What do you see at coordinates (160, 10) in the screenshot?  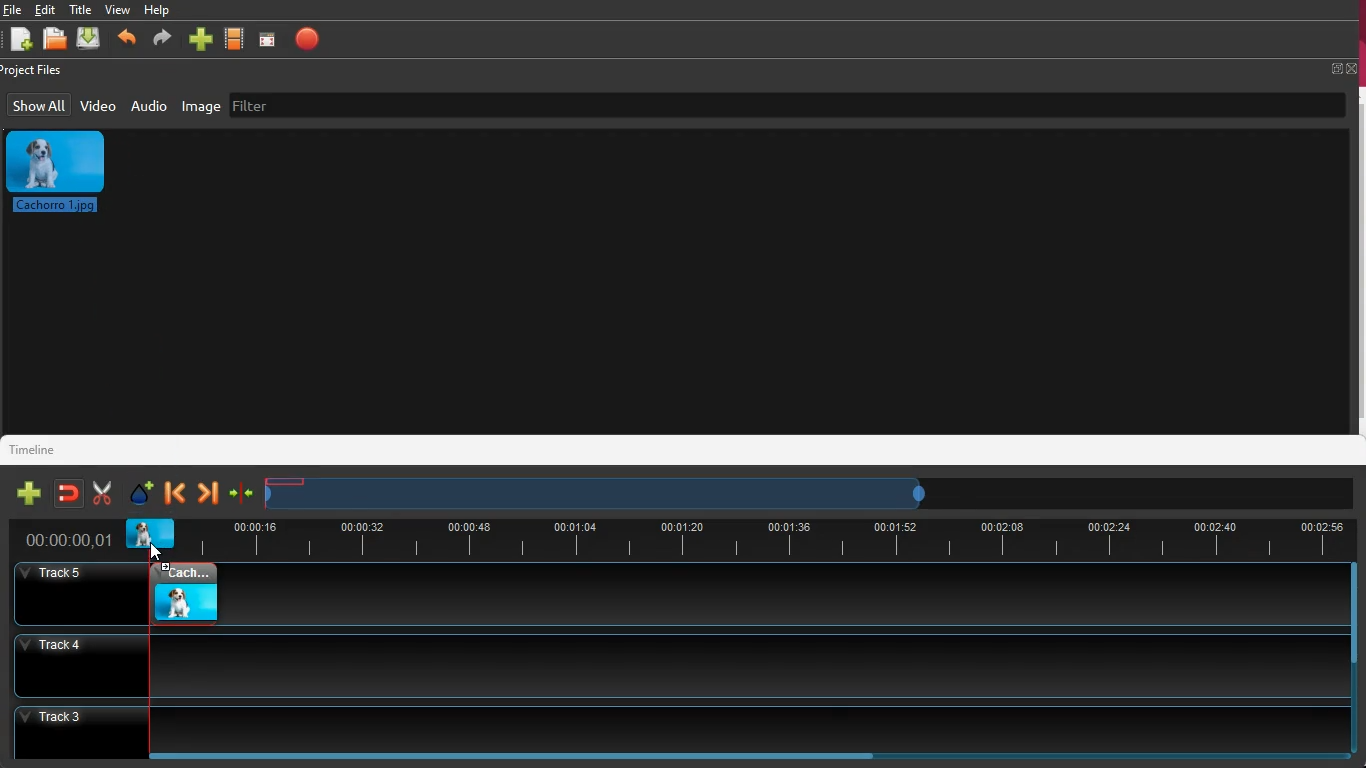 I see `help` at bounding box center [160, 10].